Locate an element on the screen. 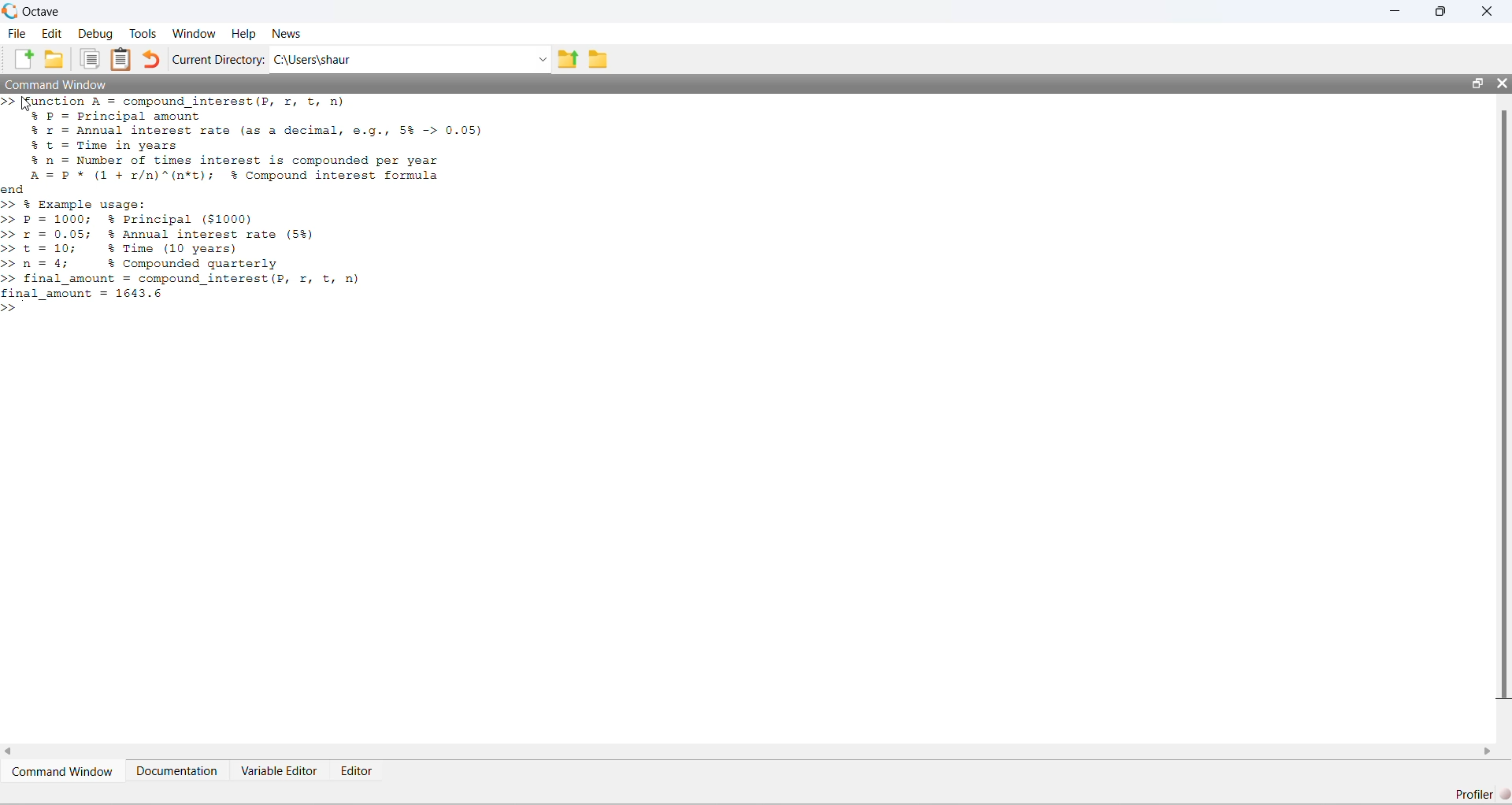  Editor is located at coordinates (358, 771).